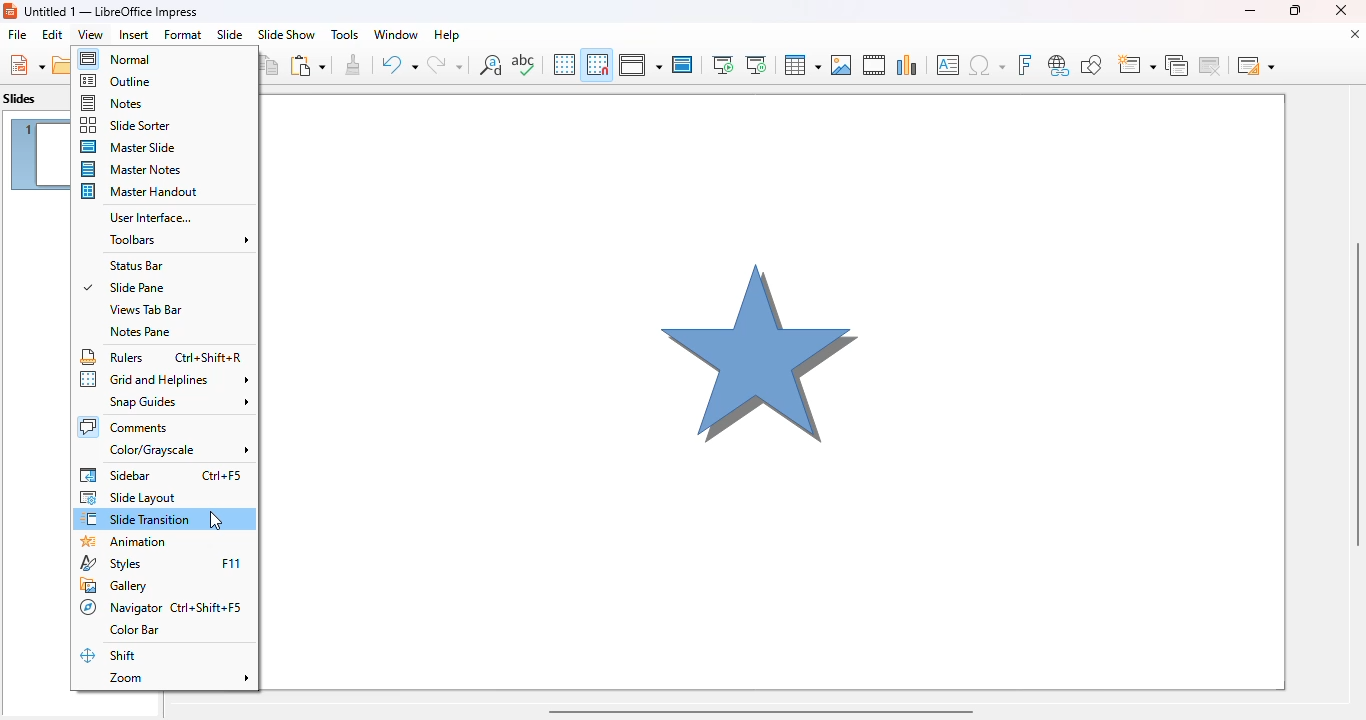  What do you see at coordinates (345, 35) in the screenshot?
I see `tools` at bounding box center [345, 35].